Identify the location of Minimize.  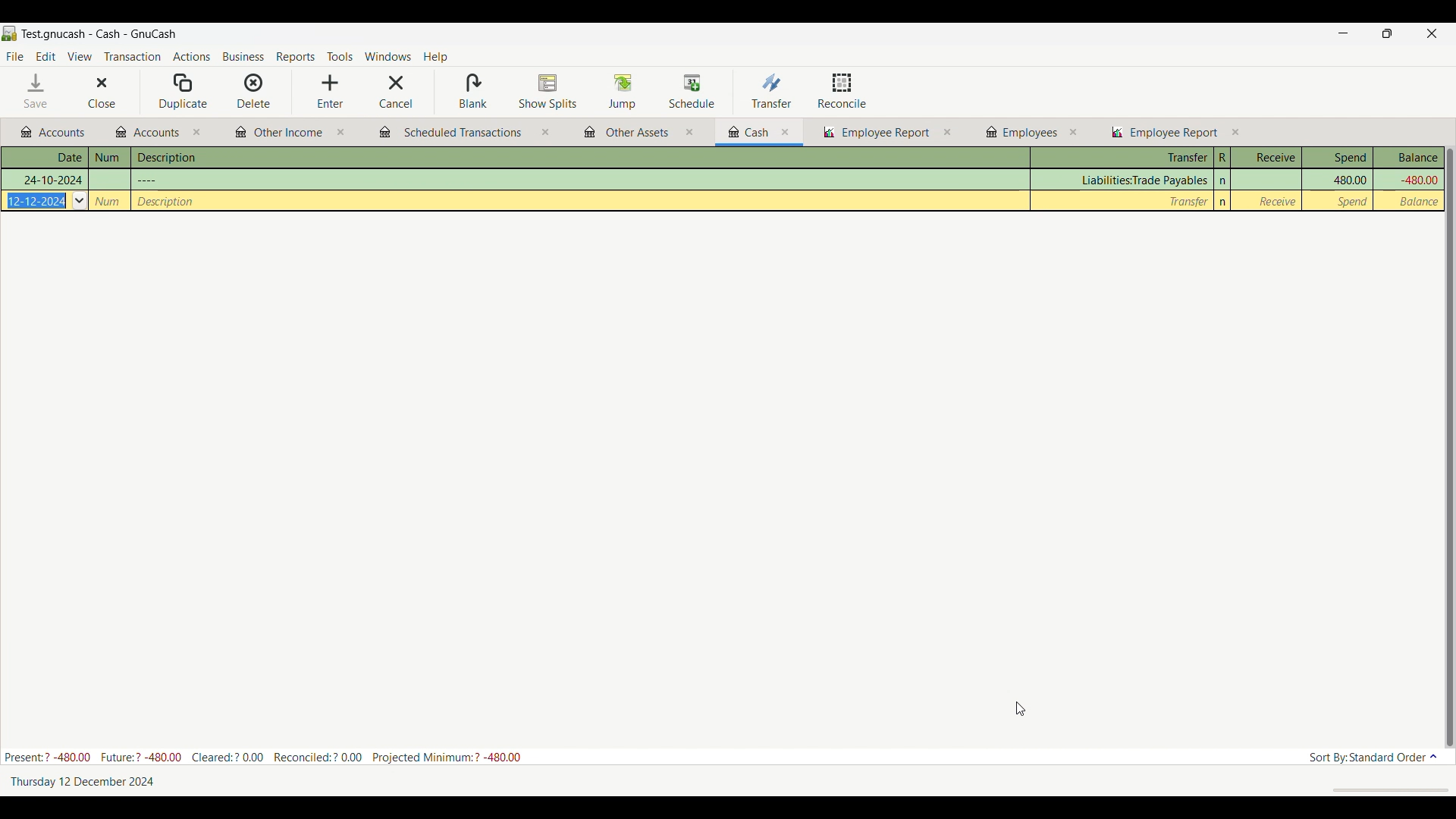
(1343, 33).